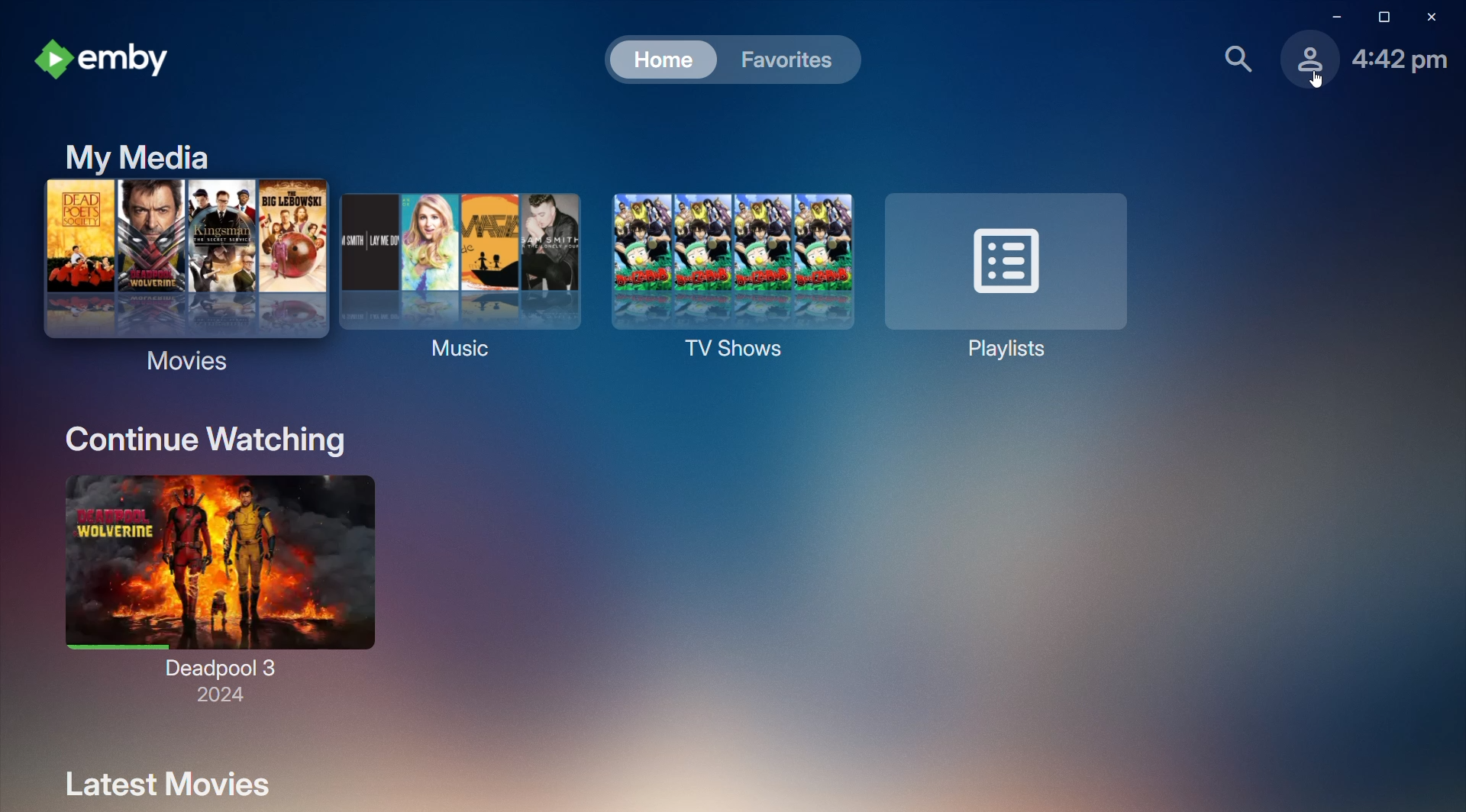 This screenshot has width=1466, height=812. What do you see at coordinates (1015, 278) in the screenshot?
I see `Playlists` at bounding box center [1015, 278].